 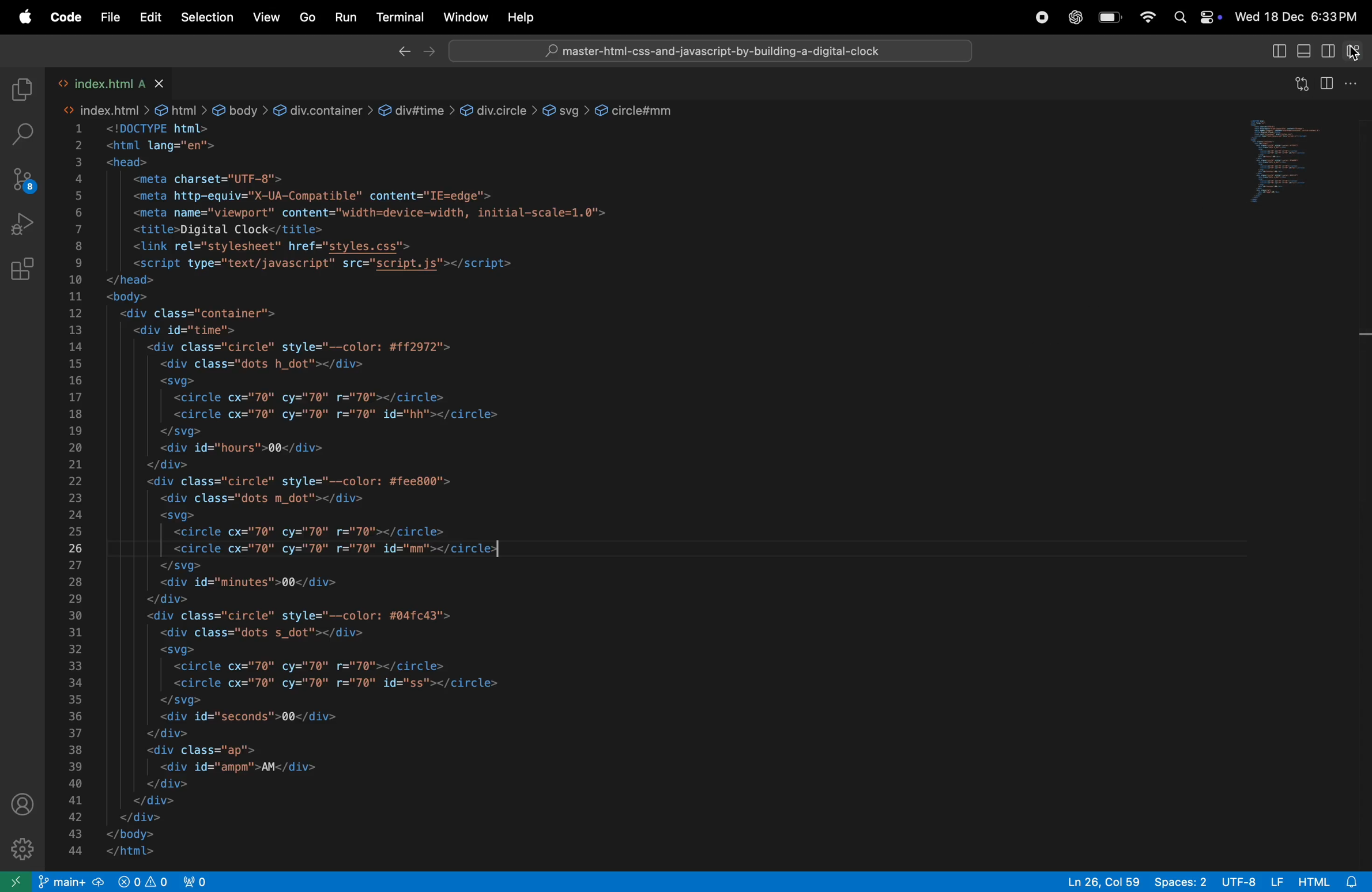 I want to click on Help, so click(x=518, y=18).